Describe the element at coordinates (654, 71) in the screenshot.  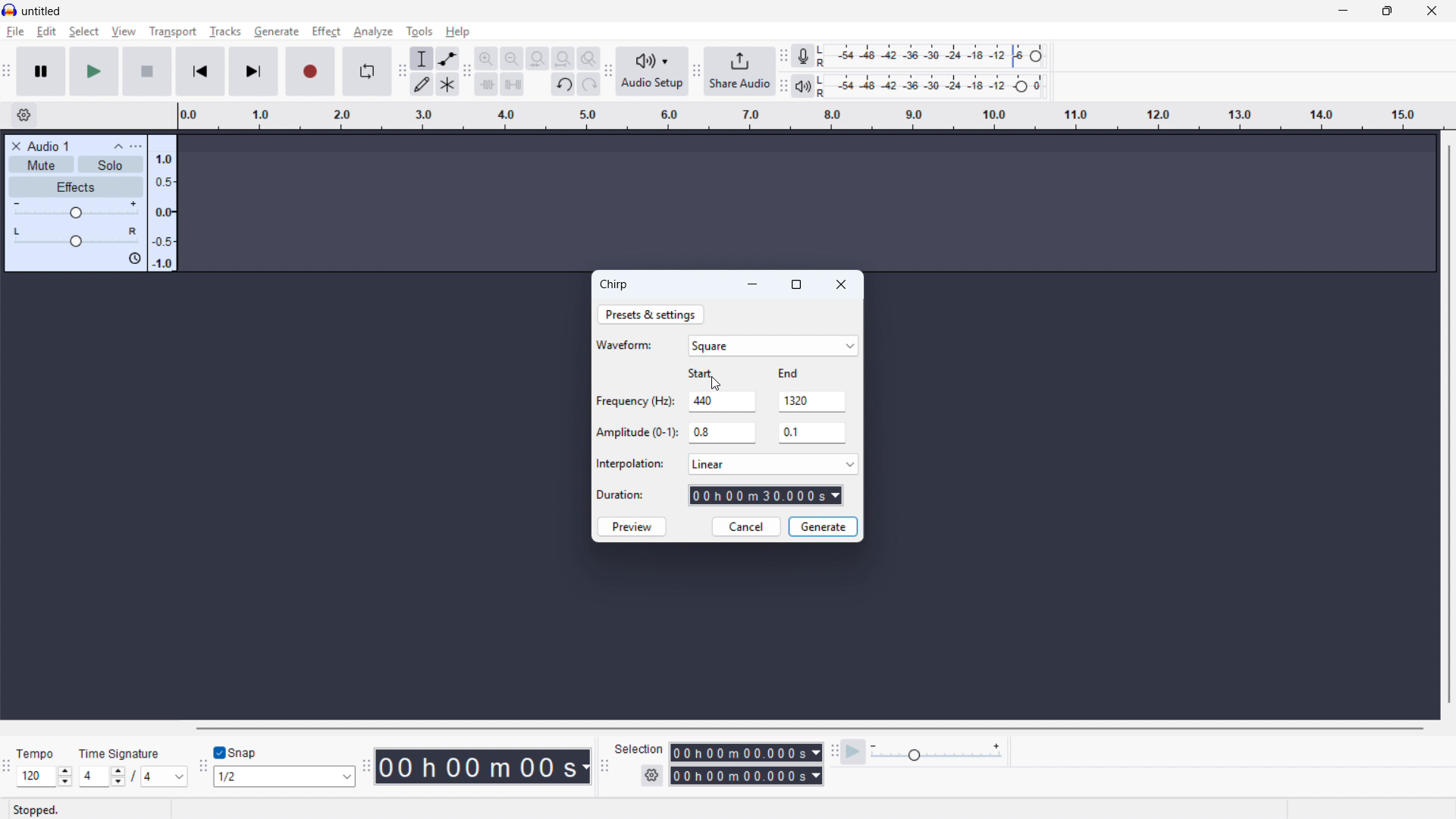
I see `Audio setup ` at that location.